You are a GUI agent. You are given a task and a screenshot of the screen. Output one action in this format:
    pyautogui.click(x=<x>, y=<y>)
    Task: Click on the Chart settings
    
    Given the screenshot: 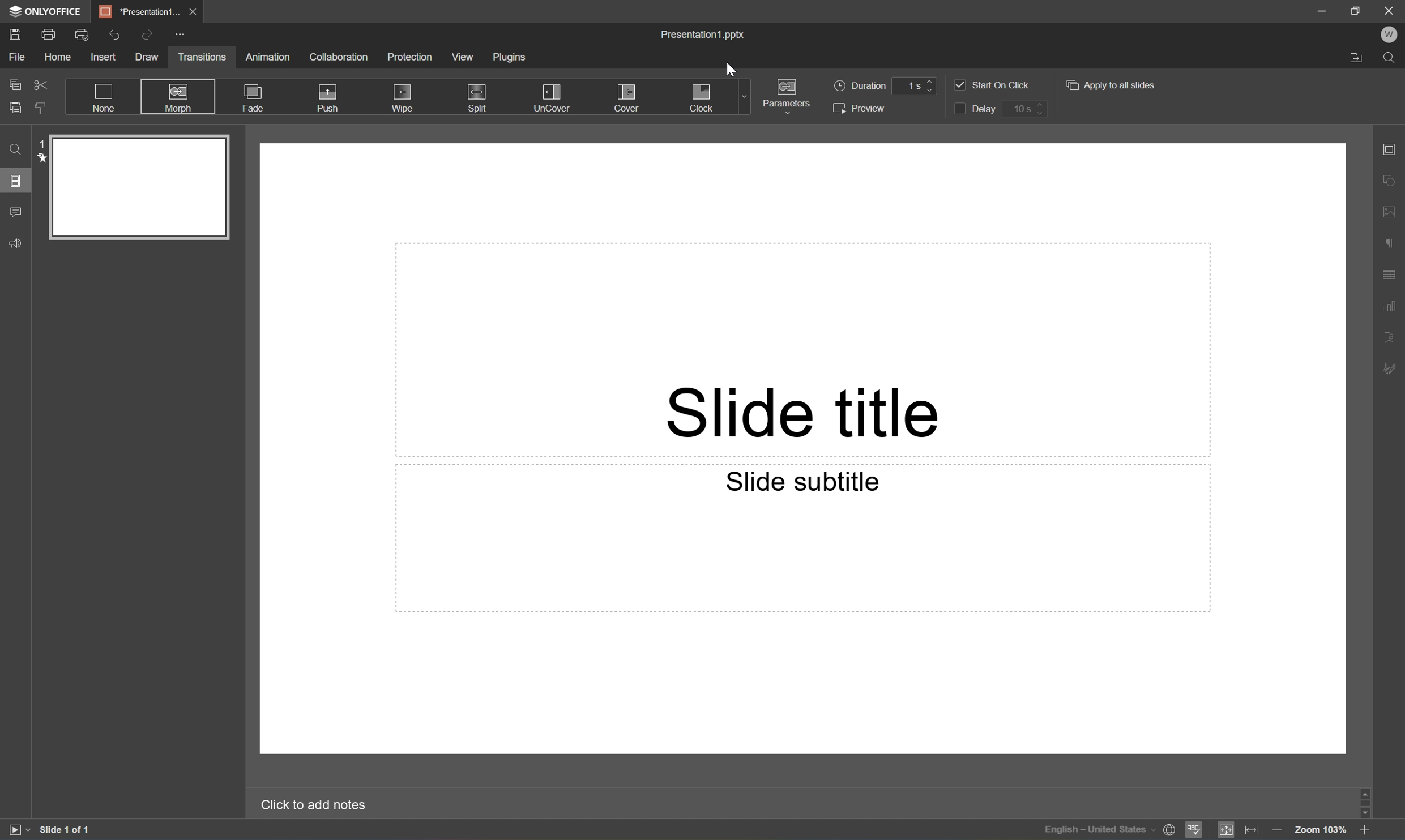 What is the action you would take?
    pyautogui.click(x=1391, y=307)
    